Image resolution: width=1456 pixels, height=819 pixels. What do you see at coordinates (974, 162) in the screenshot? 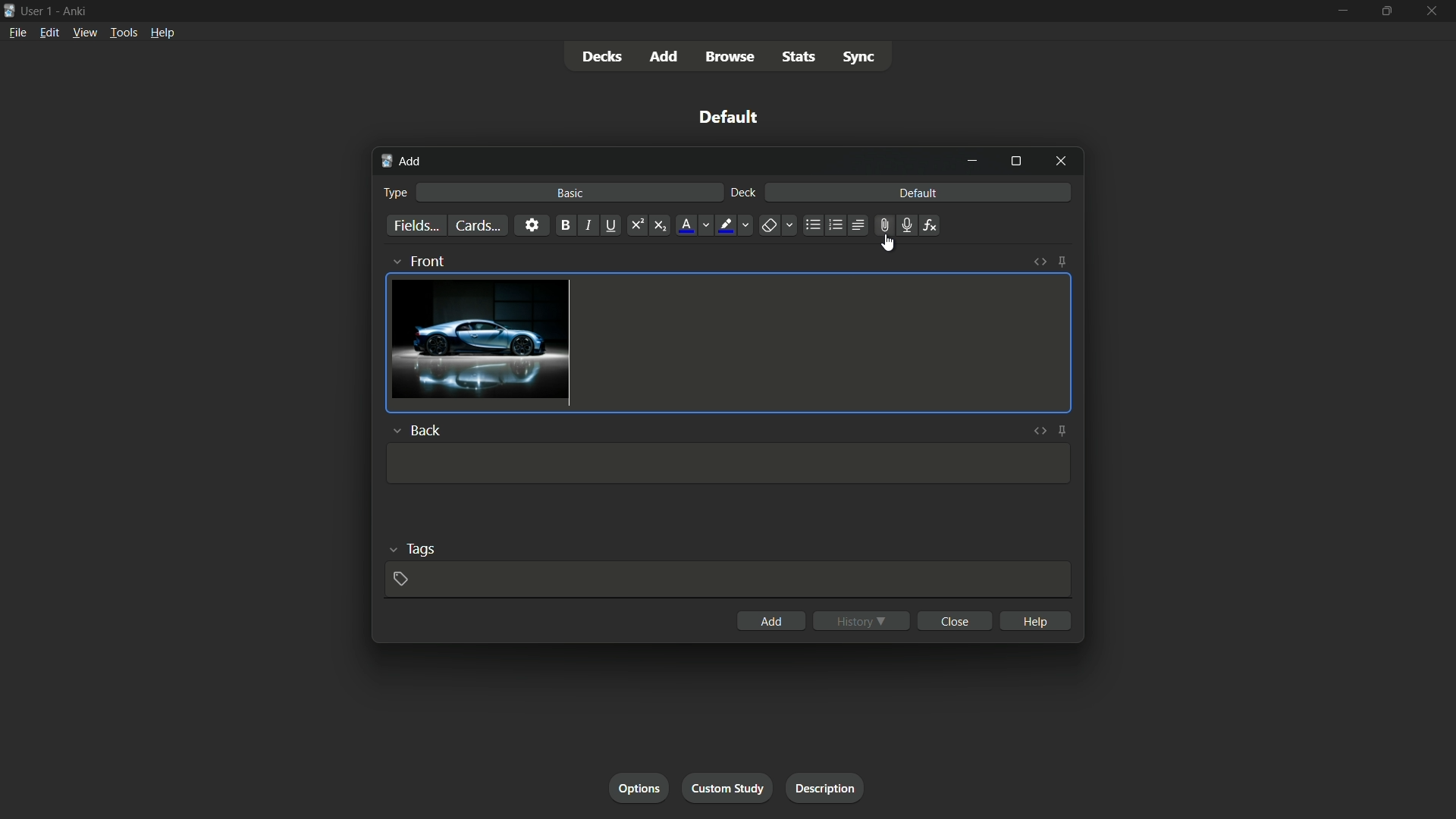
I see `minimize` at bounding box center [974, 162].